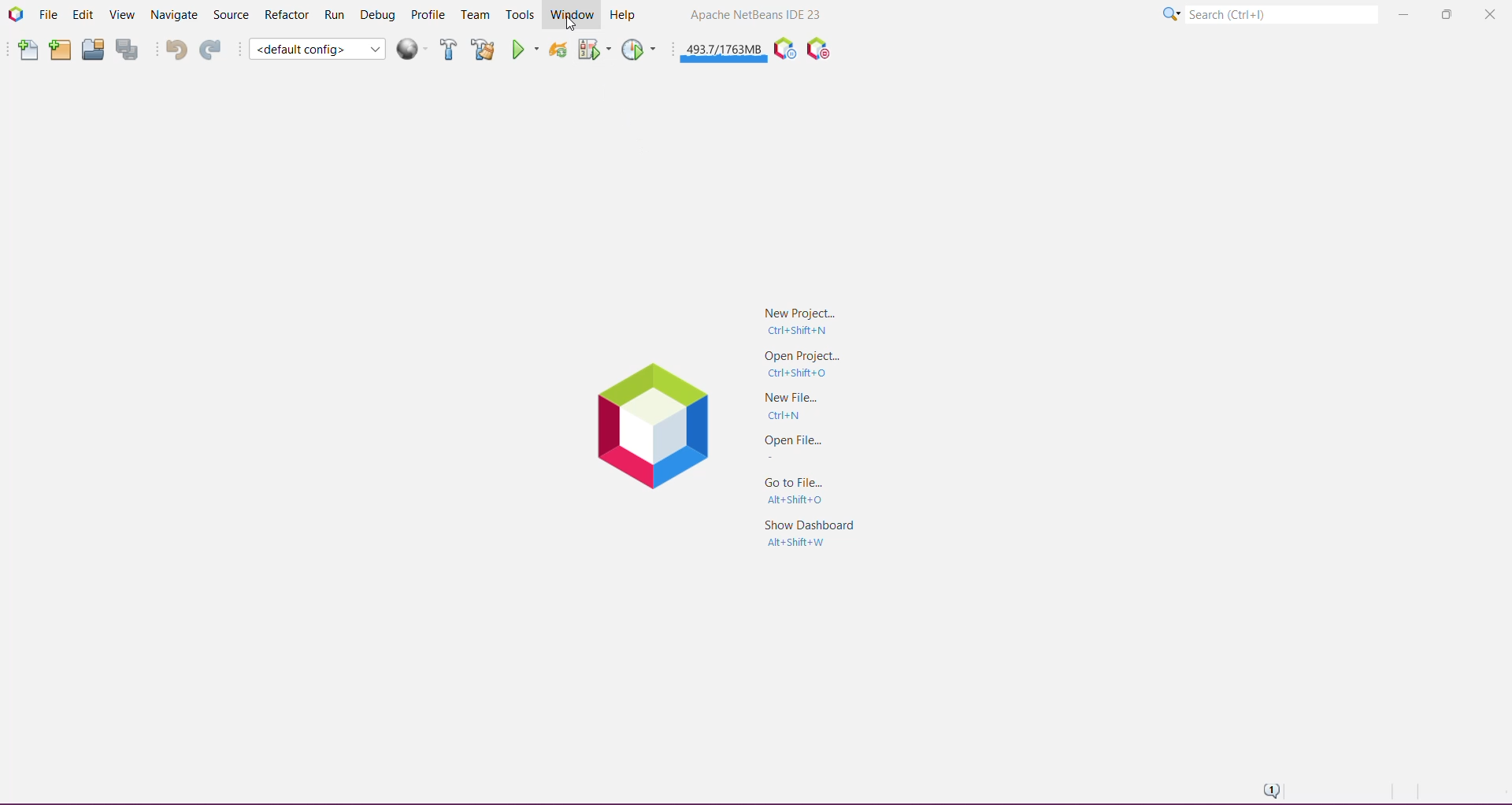  What do you see at coordinates (1488, 17) in the screenshot?
I see `Close` at bounding box center [1488, 17].